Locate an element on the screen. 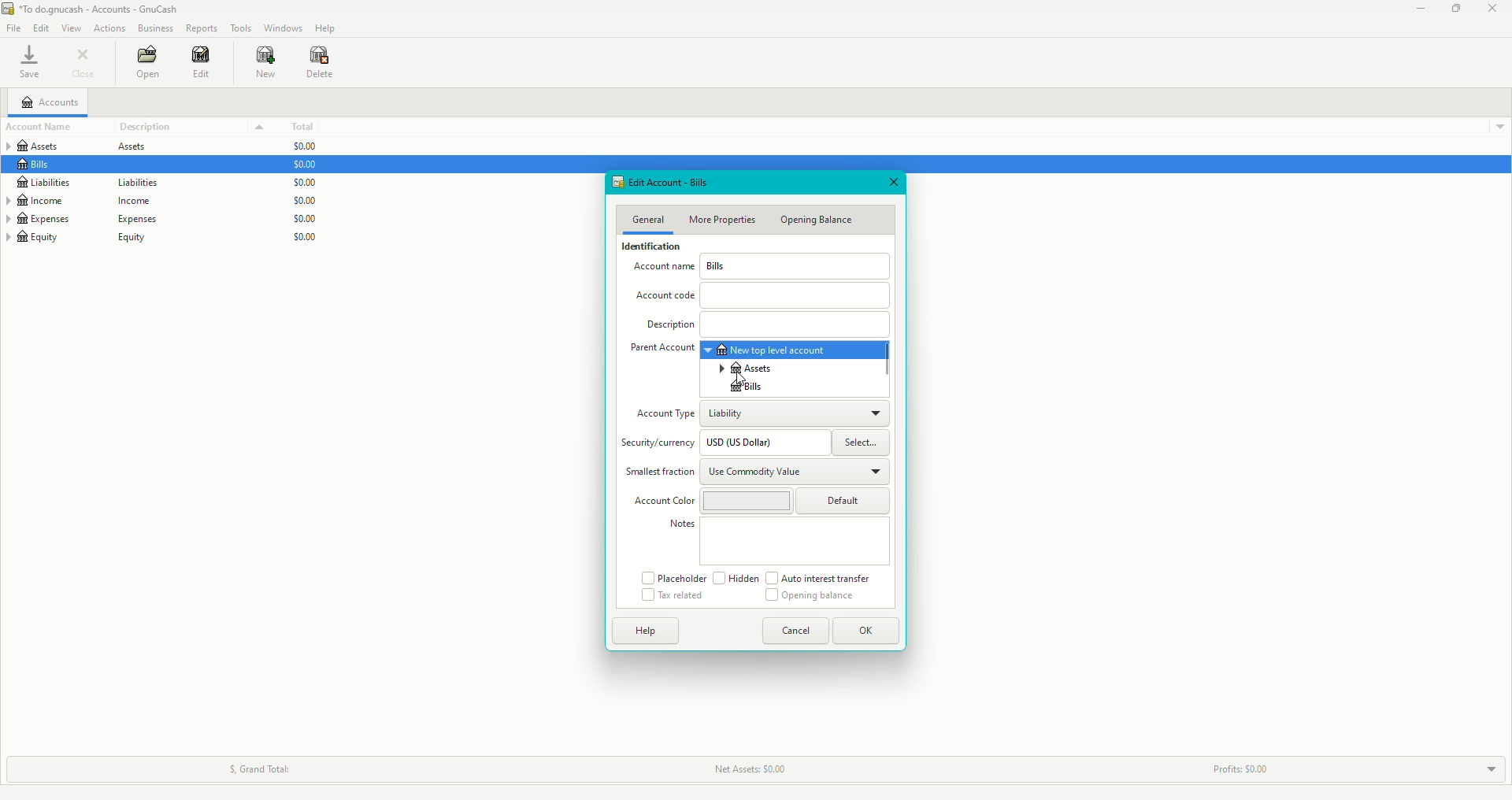 Image resolution: width=1512 pixels, height=800 pixels. OK is located at coordinates (867, 631).